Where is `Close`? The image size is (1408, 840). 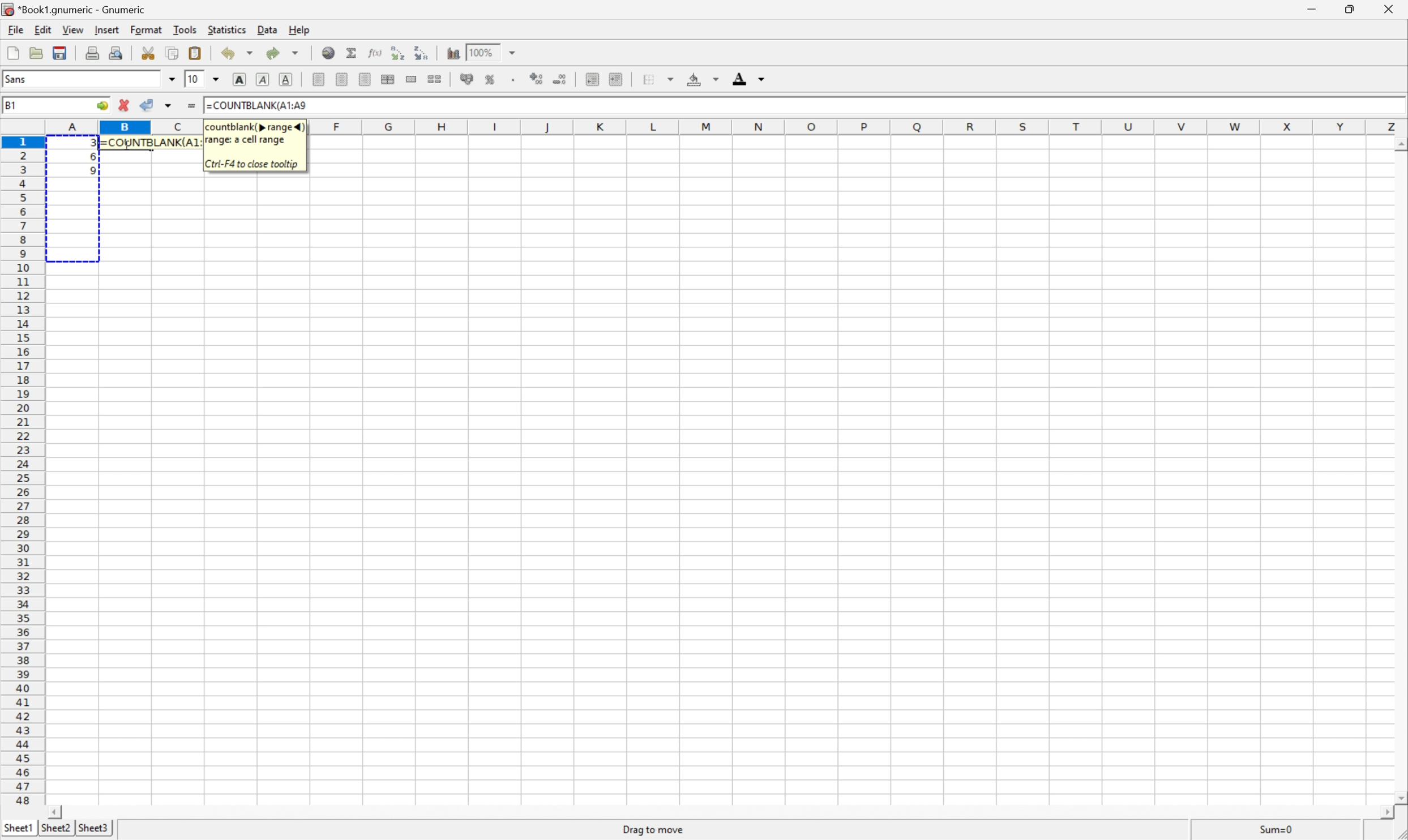 Close is located at coordinates (1385, 8).